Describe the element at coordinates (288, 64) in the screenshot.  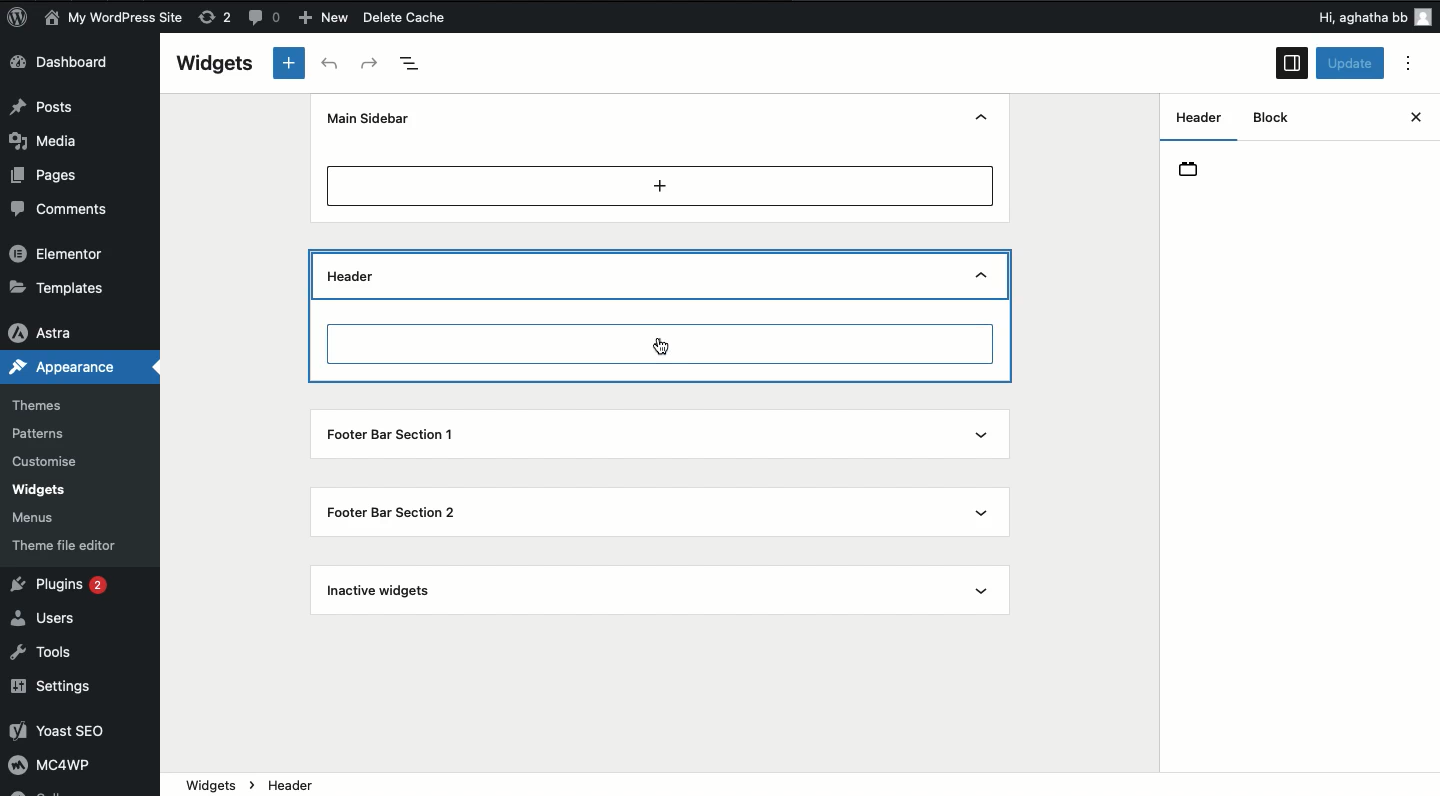
I see `Add new block` at that location.